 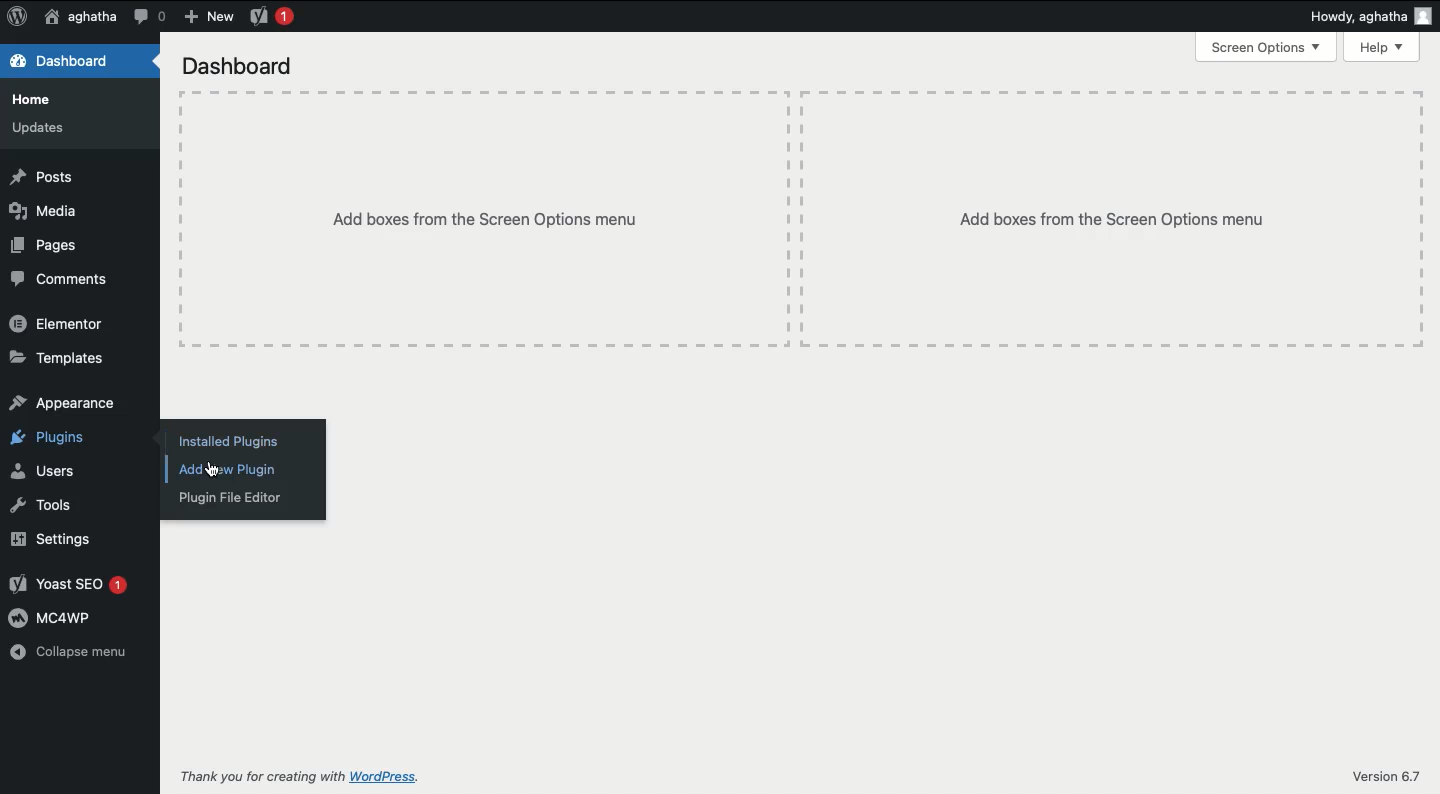 I want to click on Help, so click(x=1383, y=48).